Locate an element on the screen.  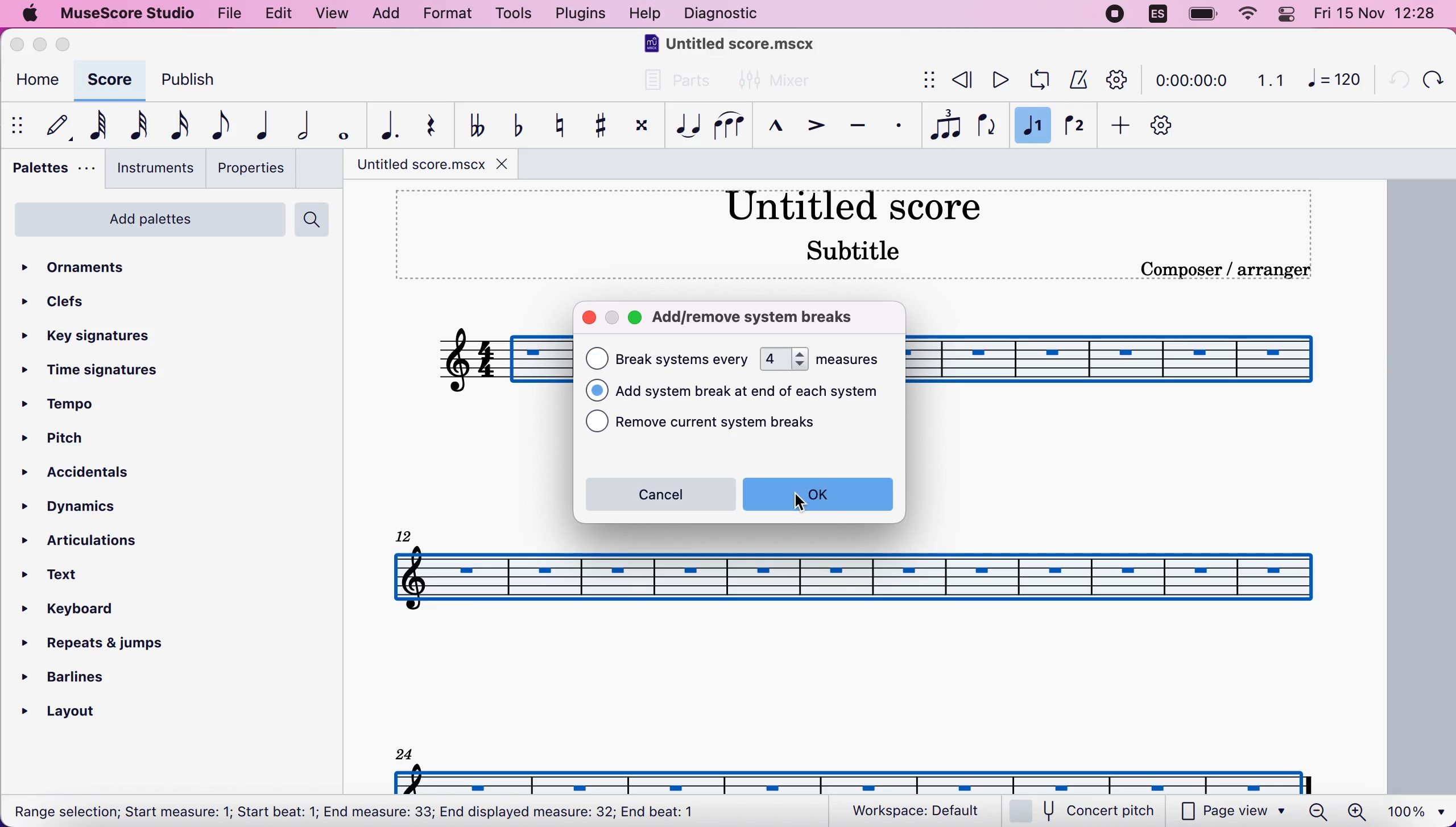
toggle double flat is located at coordinates (476, 124).